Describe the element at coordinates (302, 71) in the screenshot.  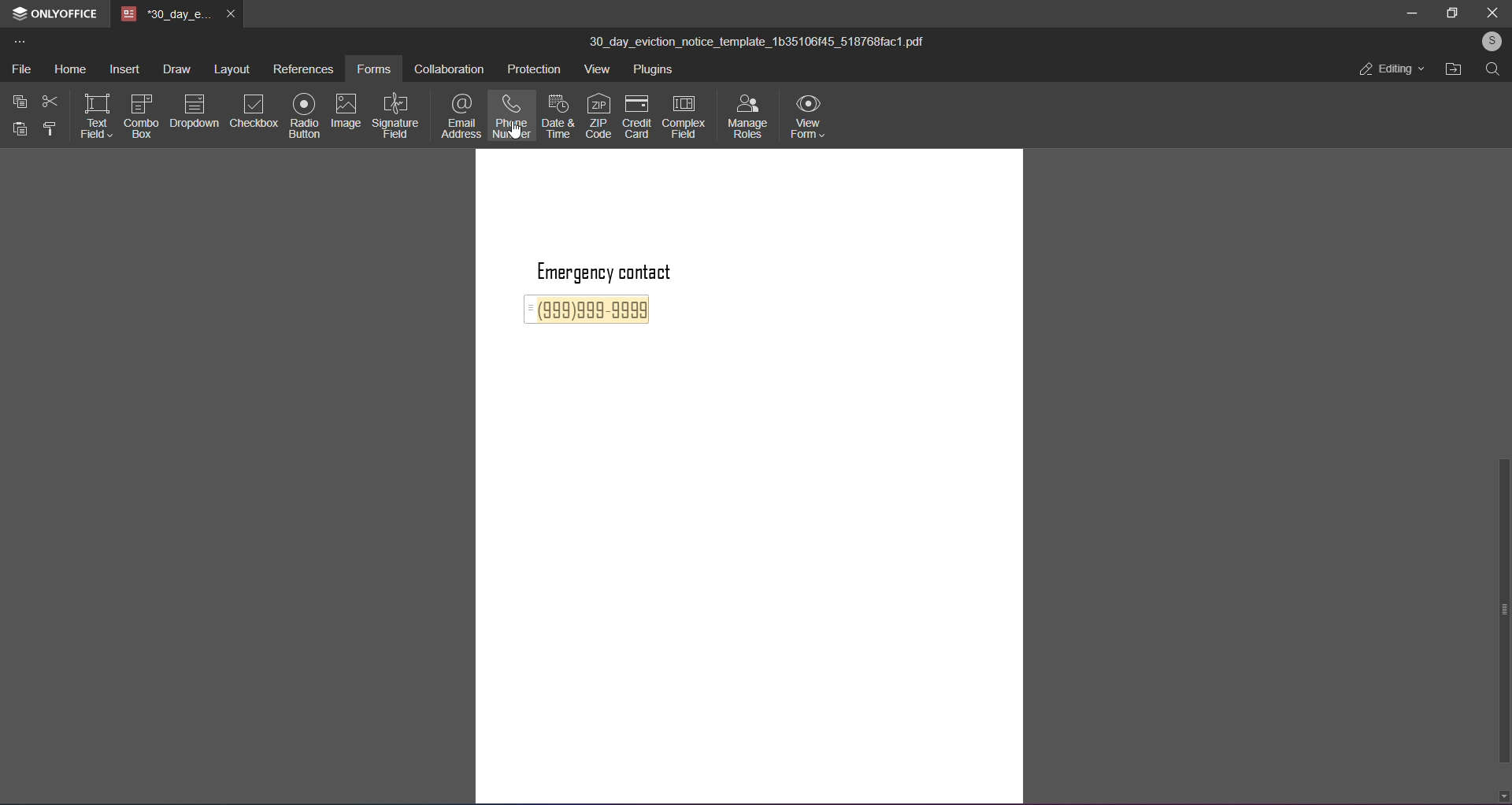
I see `references` at that location.